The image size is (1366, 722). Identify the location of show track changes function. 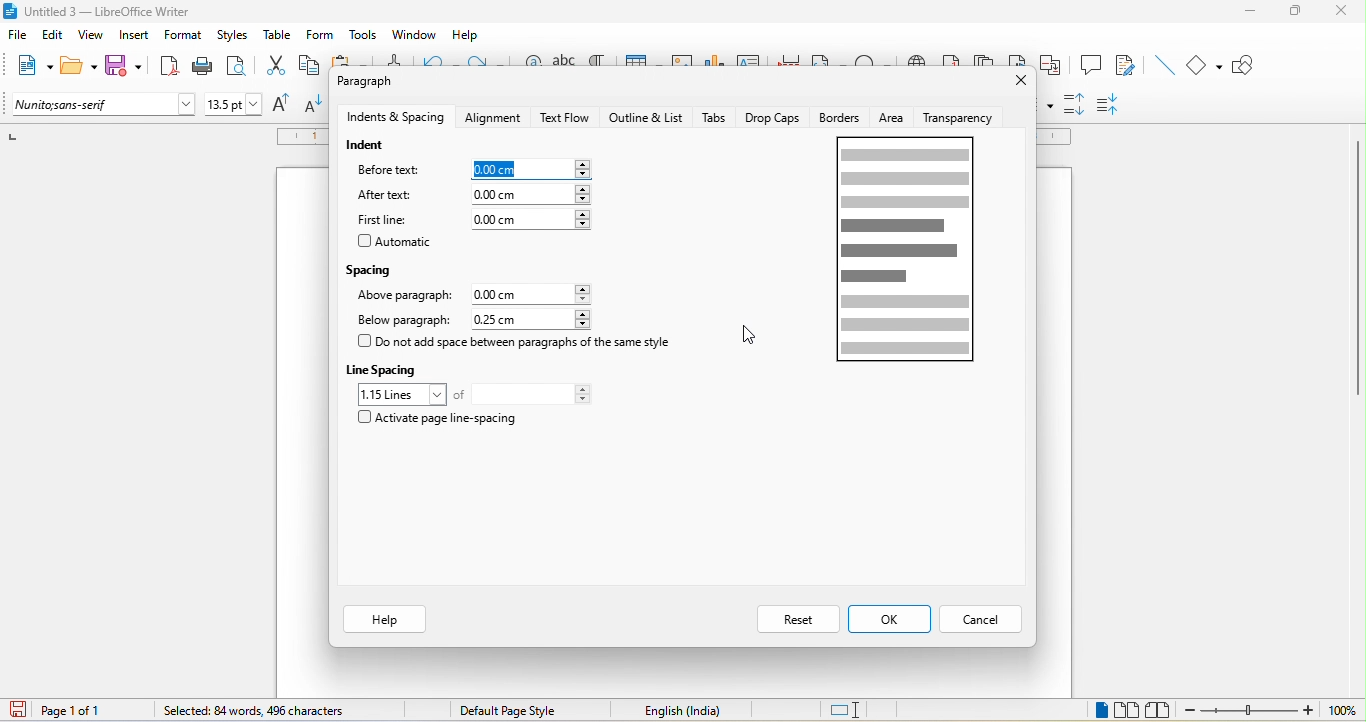
(1129, 66).